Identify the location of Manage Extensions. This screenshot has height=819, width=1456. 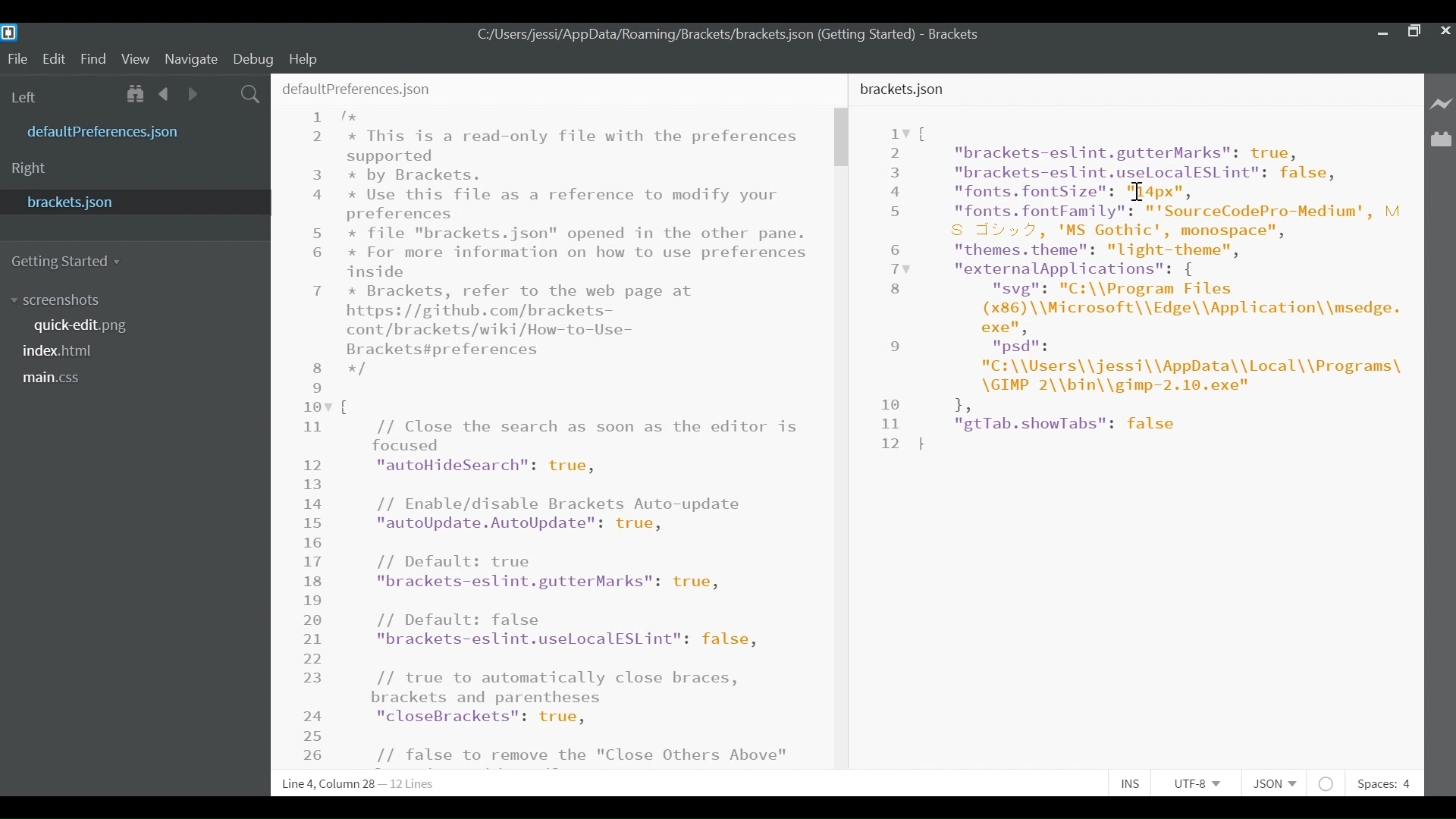
(1441, 140).